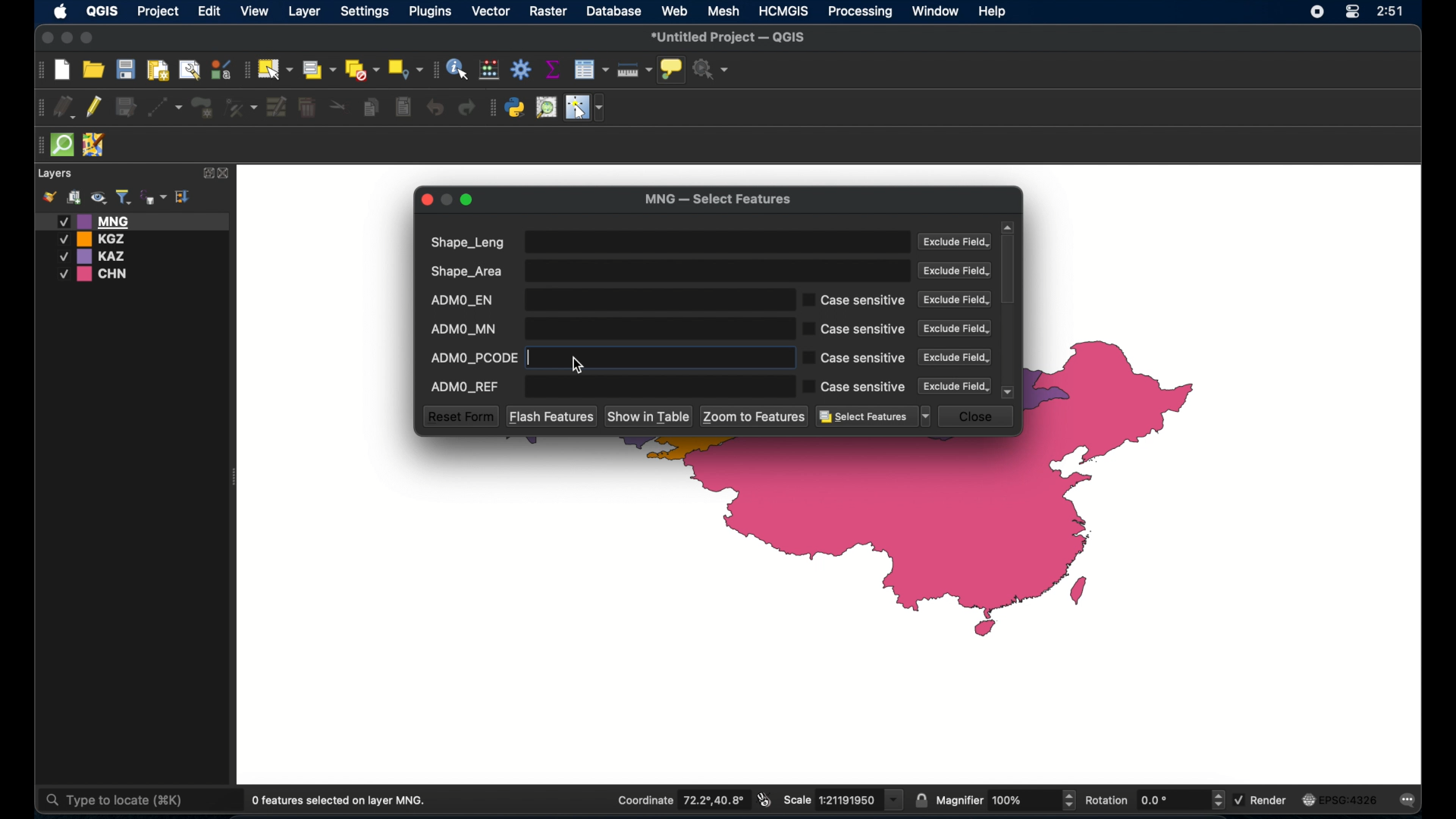 The image size is (1456, 819). Describe the element at coordinates (650, 417) in the screenshot. I see `show in table` at that location.